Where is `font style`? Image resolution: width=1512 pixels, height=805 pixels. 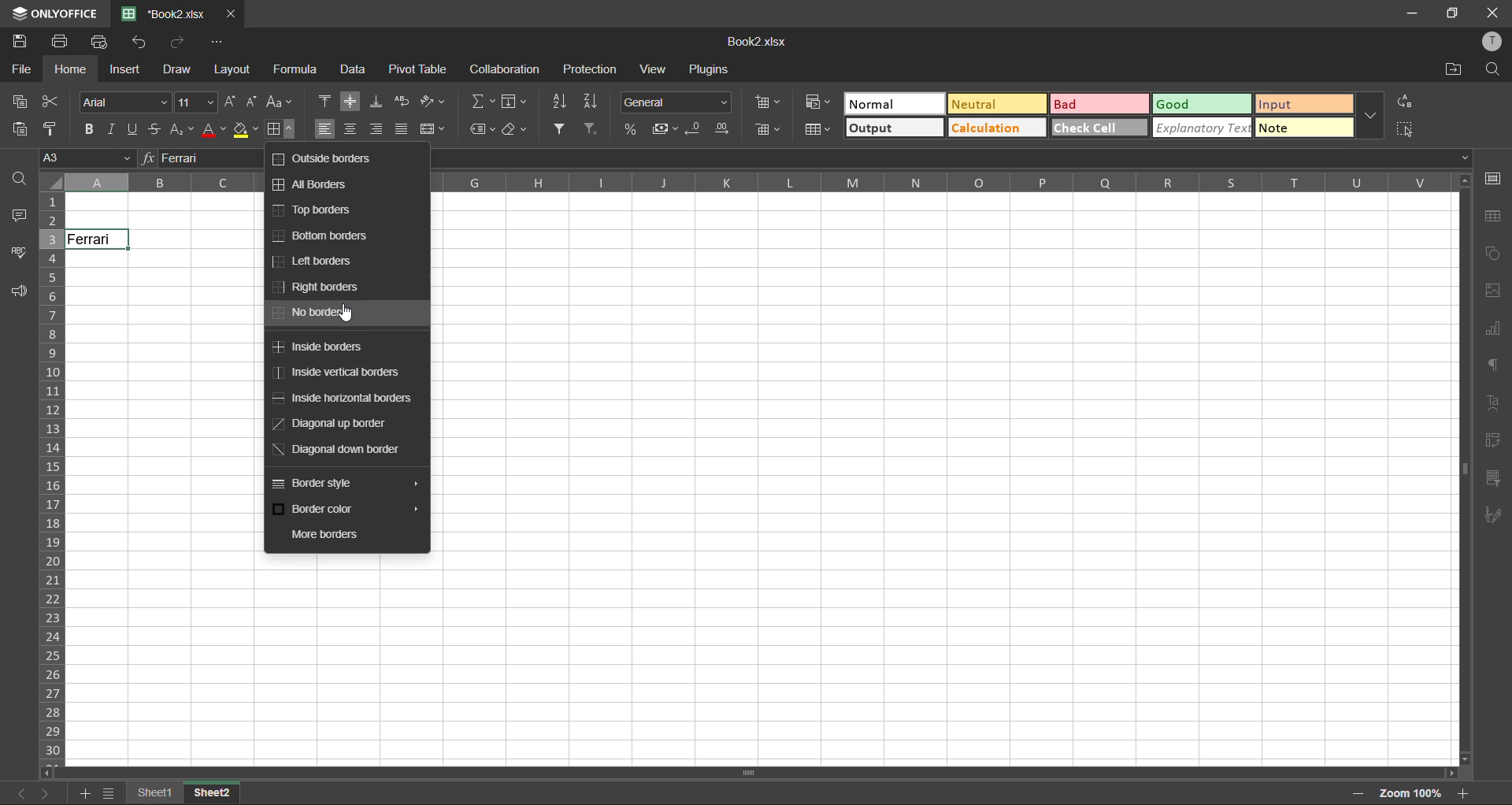
font style is located at coordinates (122, 101).